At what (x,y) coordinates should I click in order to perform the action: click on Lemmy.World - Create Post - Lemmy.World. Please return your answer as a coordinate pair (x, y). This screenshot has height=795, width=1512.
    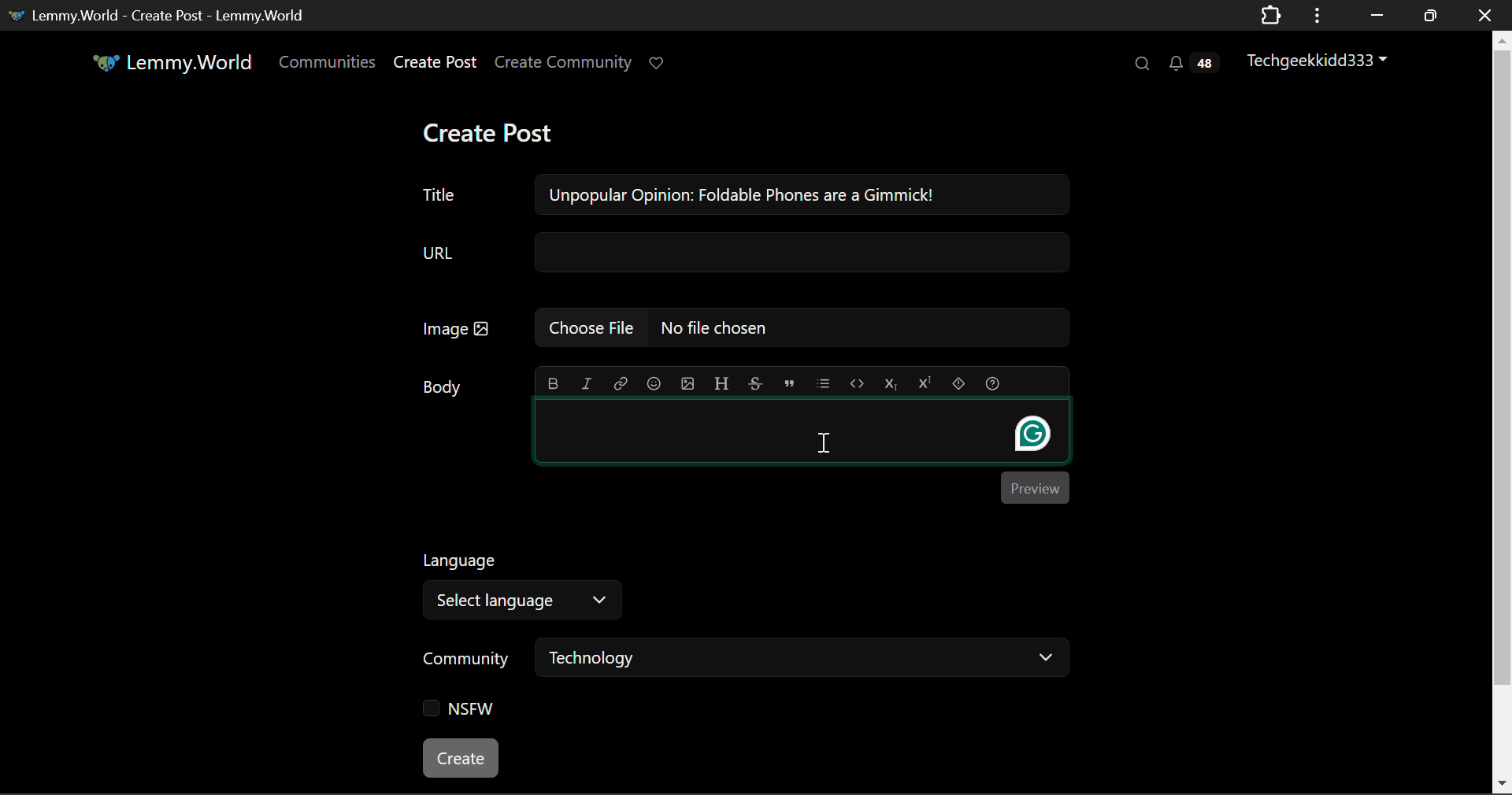
    Looking at the image, I should click on (160, 14).